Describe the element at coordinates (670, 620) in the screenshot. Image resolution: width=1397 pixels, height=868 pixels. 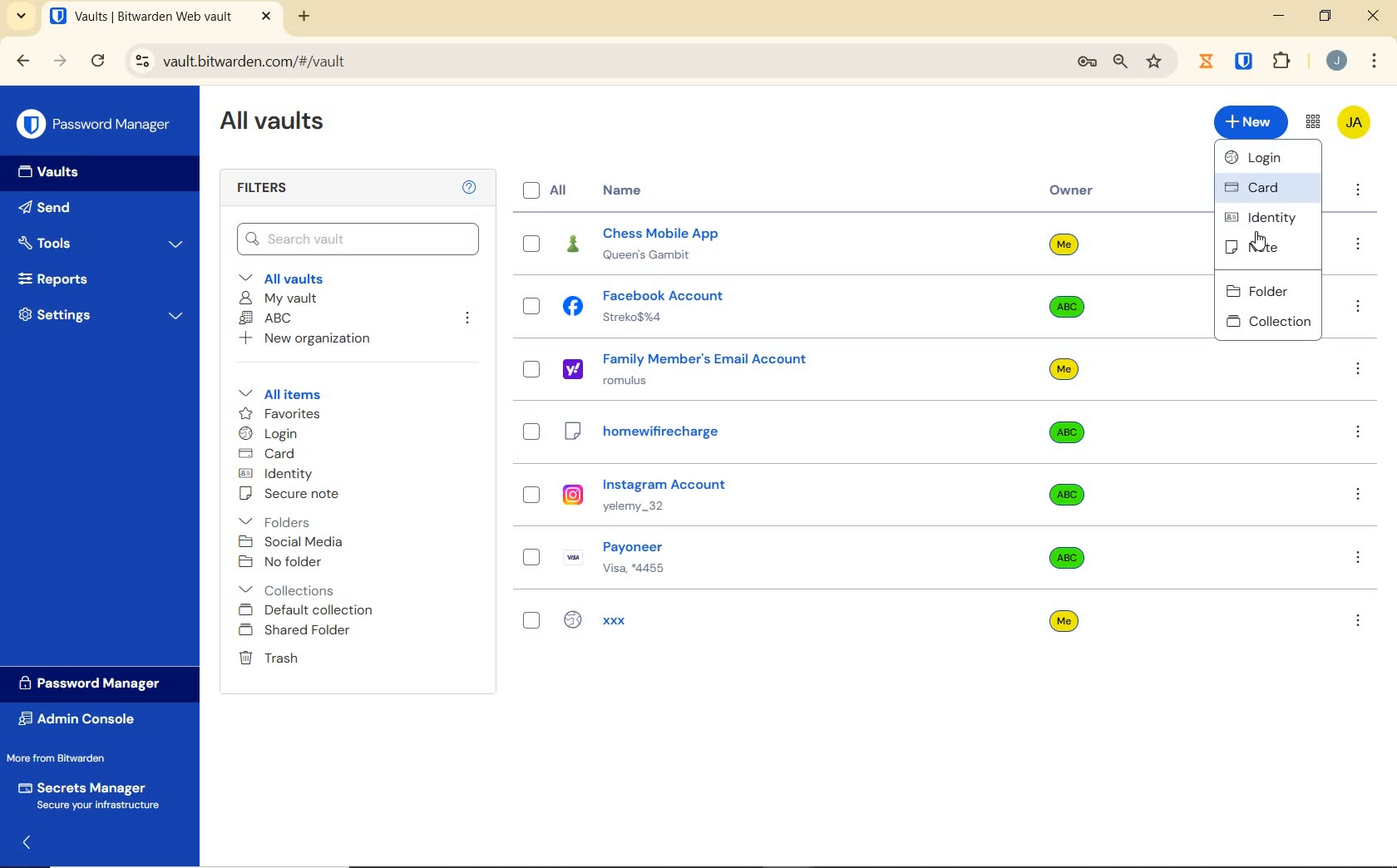
I see `xxx` at that location.